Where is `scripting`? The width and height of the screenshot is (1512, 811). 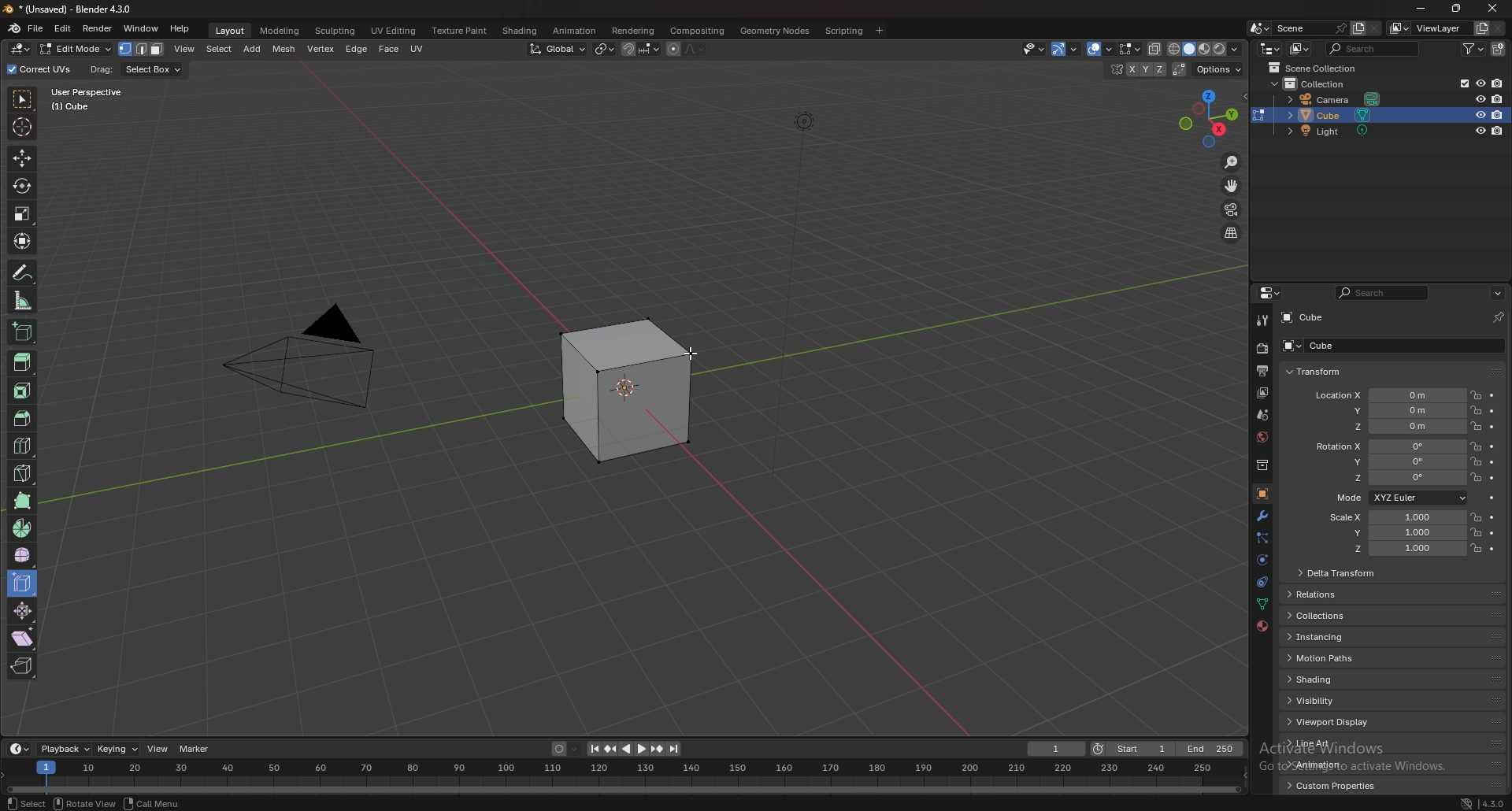
scripting is located at coordinates (842, 31).